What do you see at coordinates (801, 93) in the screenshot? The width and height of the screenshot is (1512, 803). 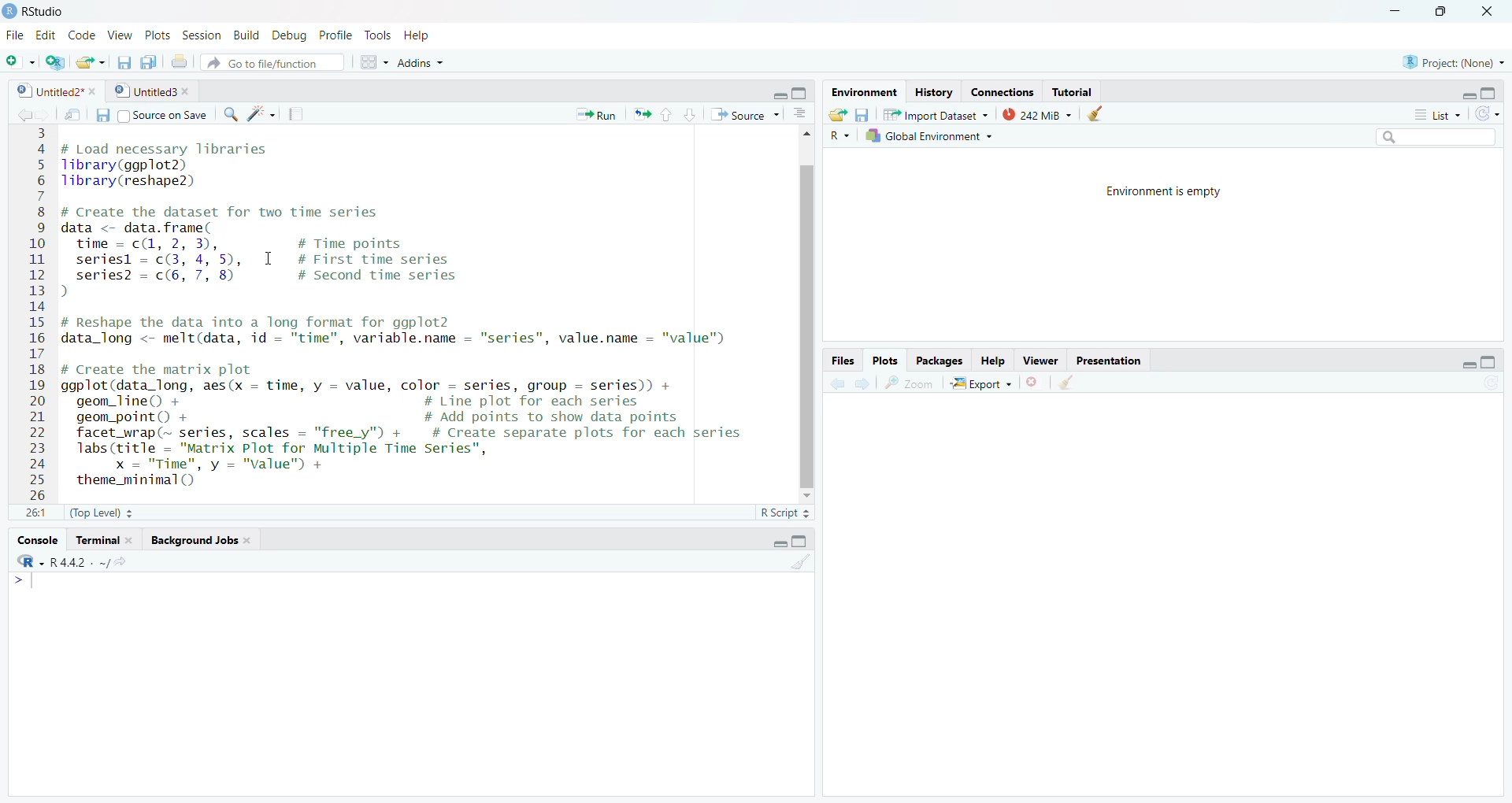 I see `maximize` at bounding box center [801, 93].